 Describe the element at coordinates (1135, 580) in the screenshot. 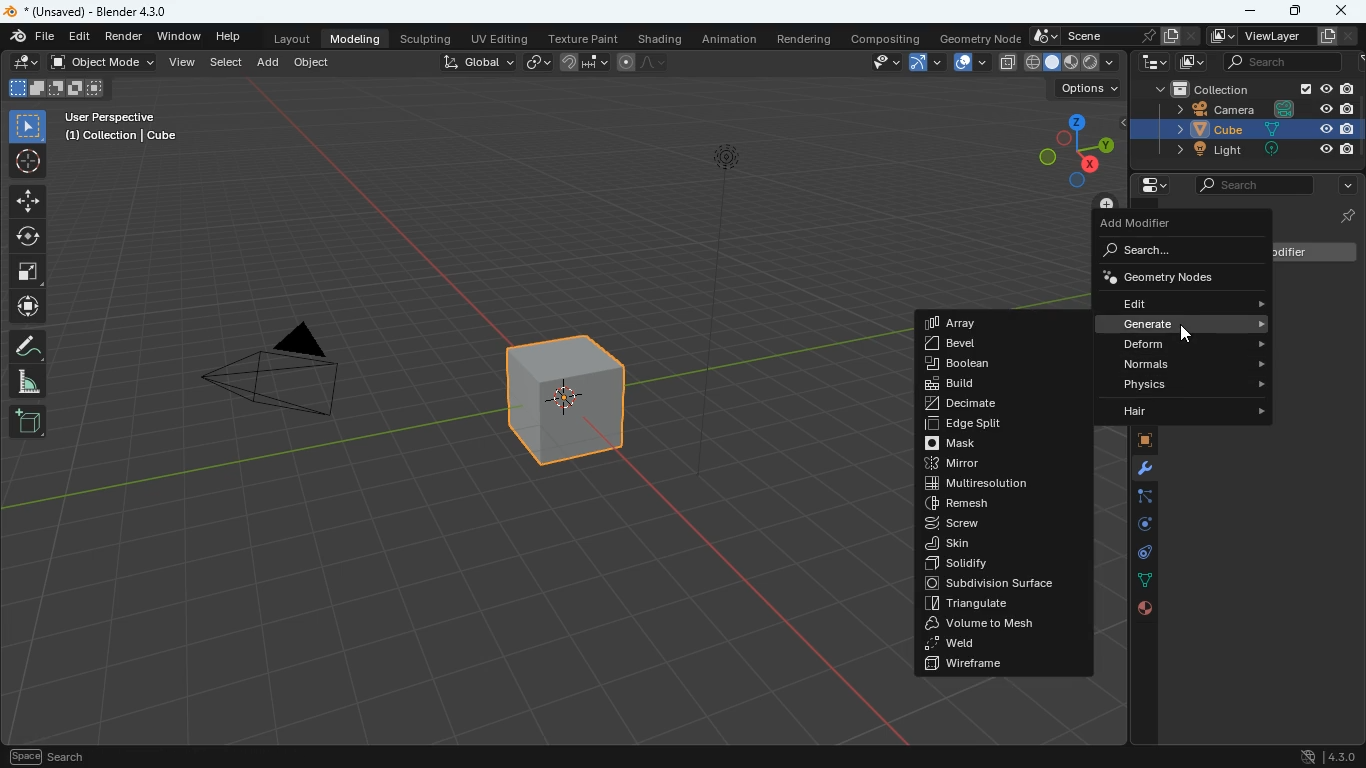

I see `lines` at that location.